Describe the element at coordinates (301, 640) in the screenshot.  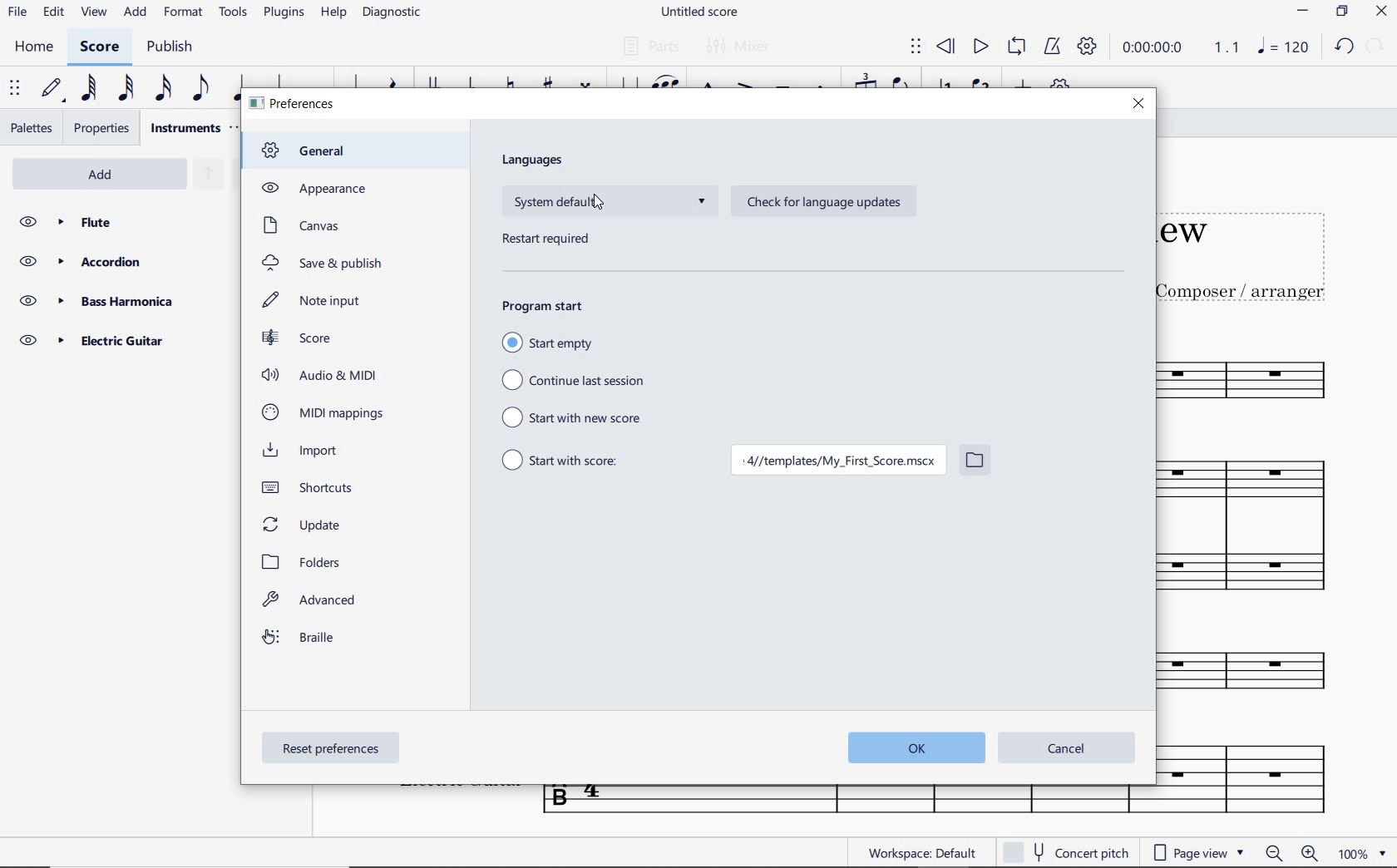
I see `braille` at that location.